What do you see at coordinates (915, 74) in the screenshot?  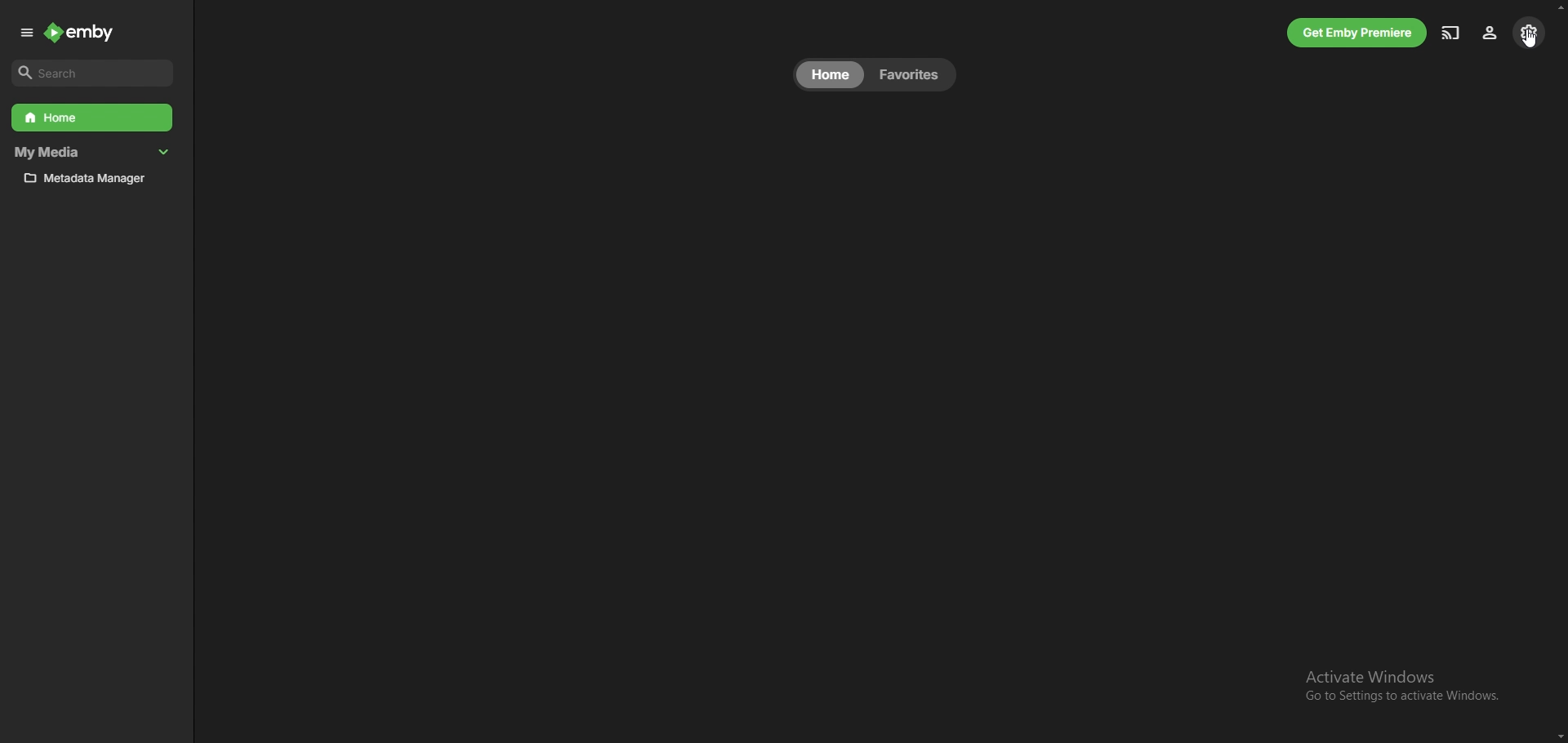 I see `favourites` at bounding box center [915, 74].